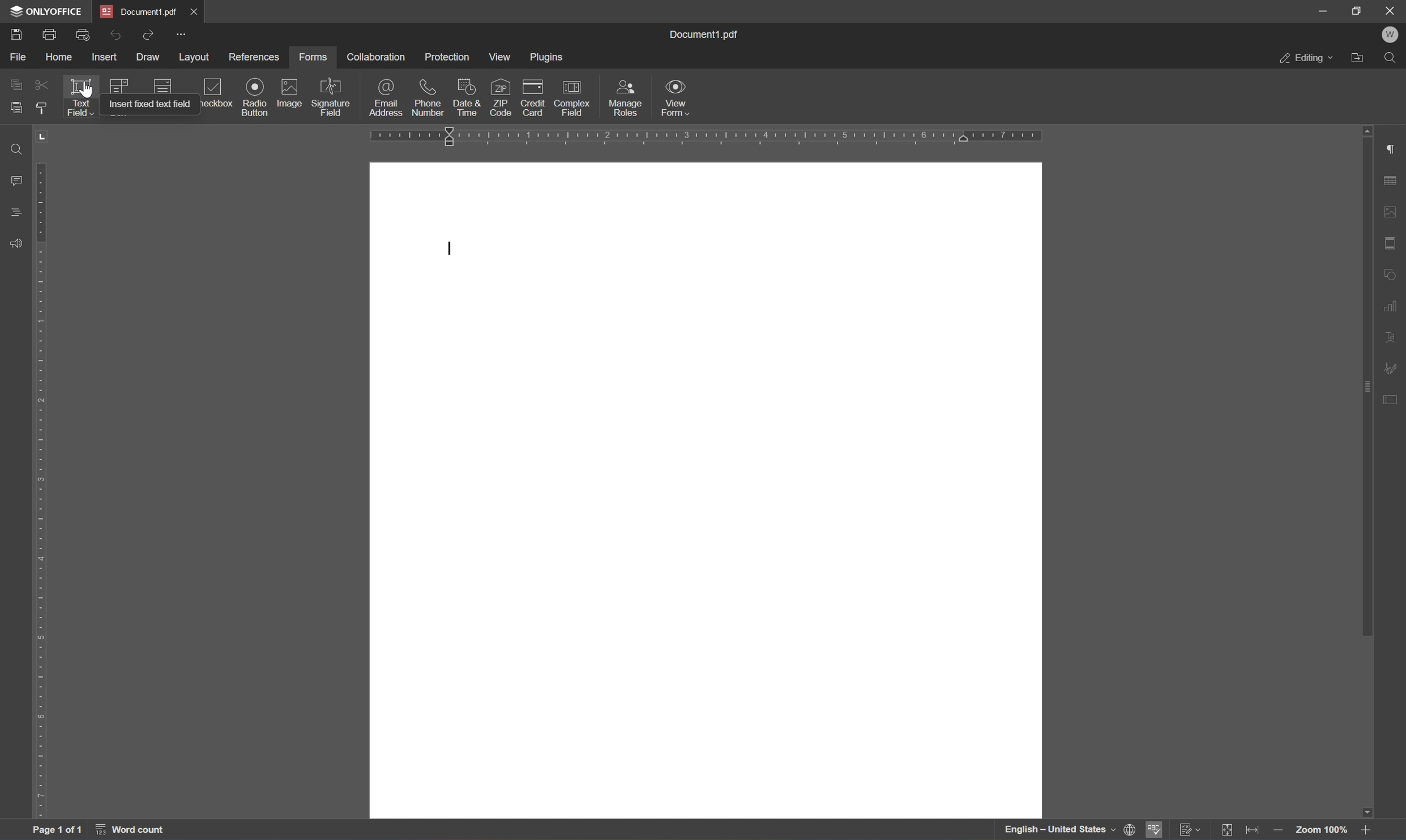  Describe the element at coordinates (387, 97) in the screenshot. I see `email addresses` at that location.